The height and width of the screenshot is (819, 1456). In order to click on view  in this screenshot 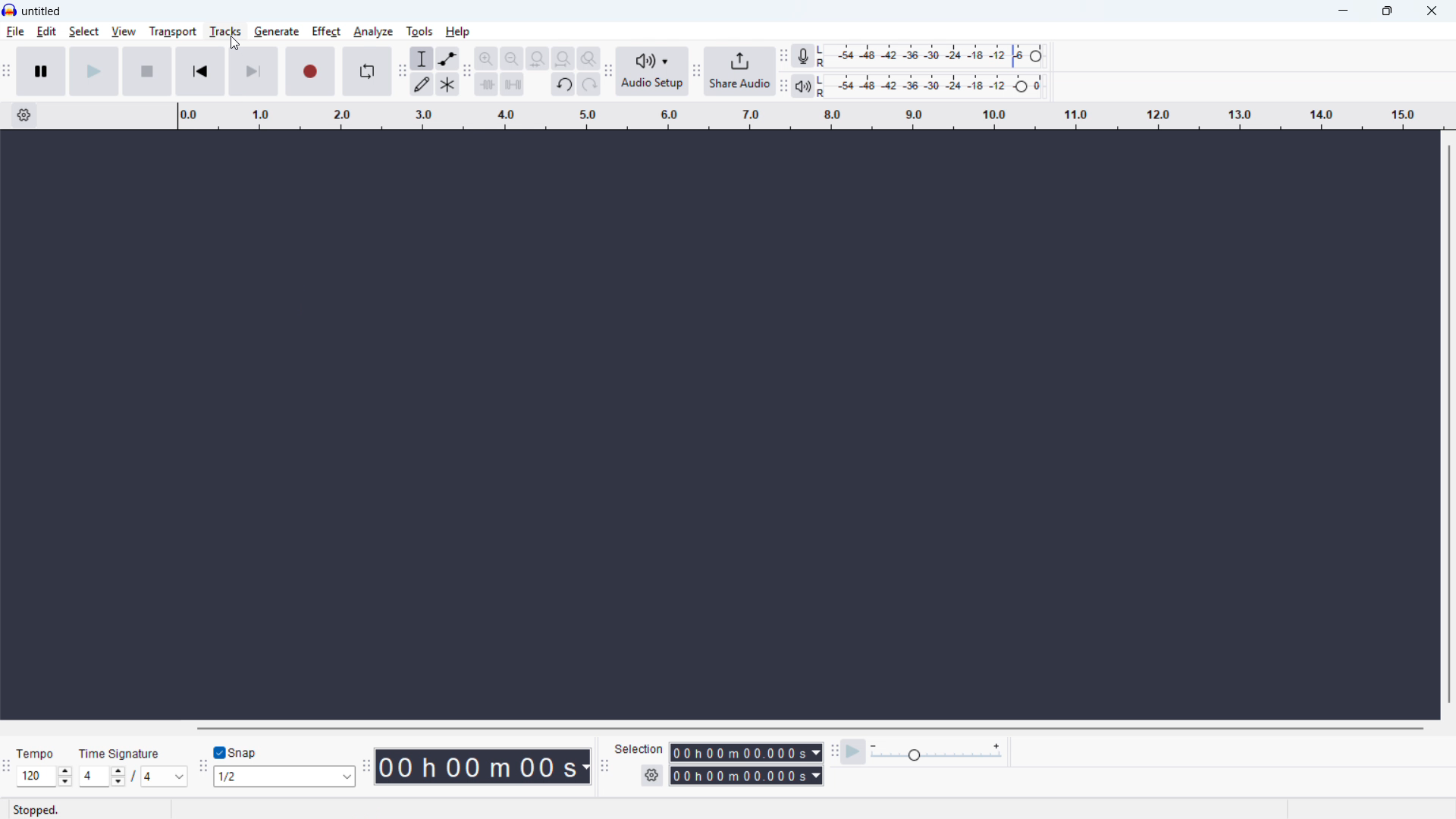, I will do `click(124, 32)`.